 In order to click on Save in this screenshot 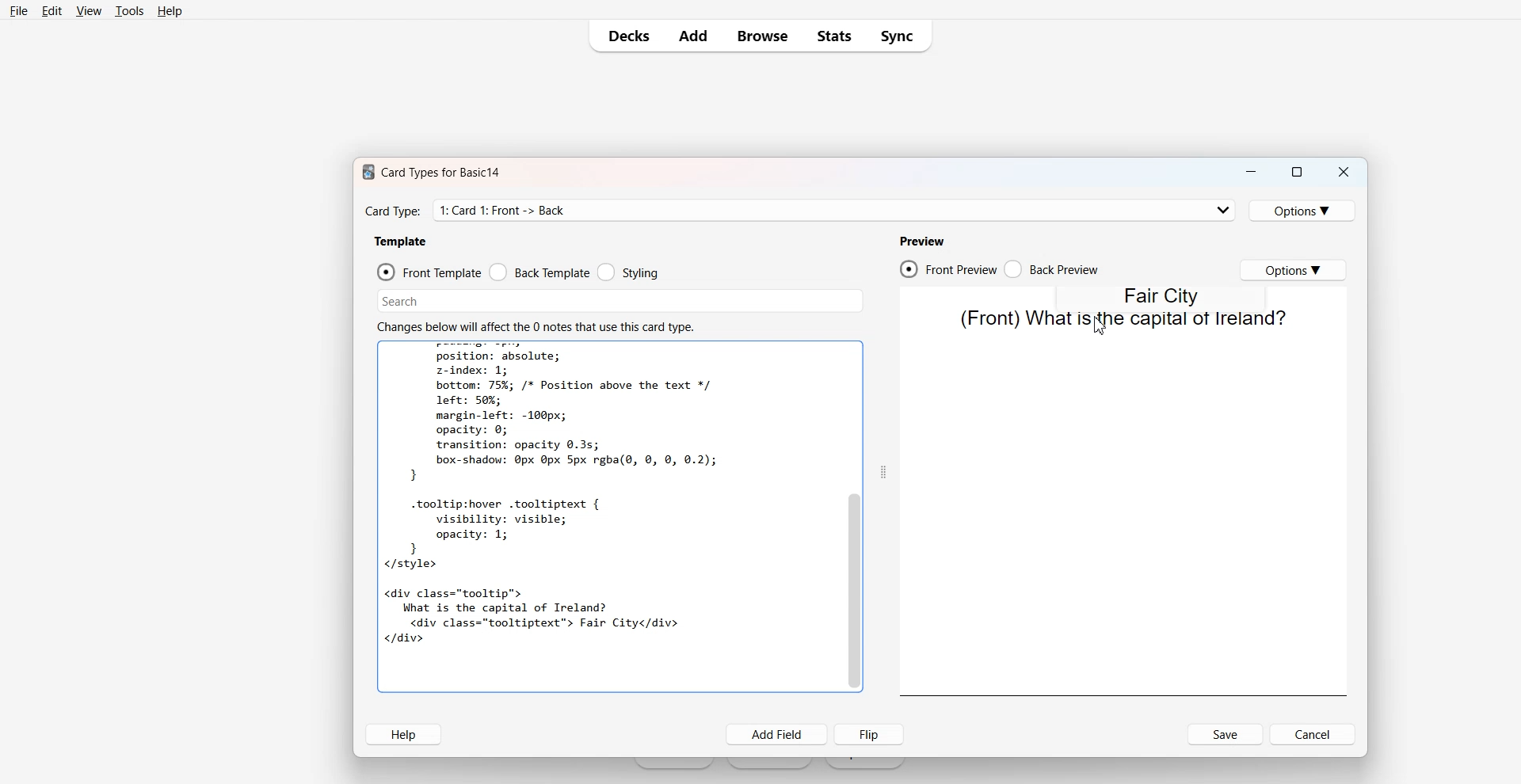, I will do `click(1226, 735)`.